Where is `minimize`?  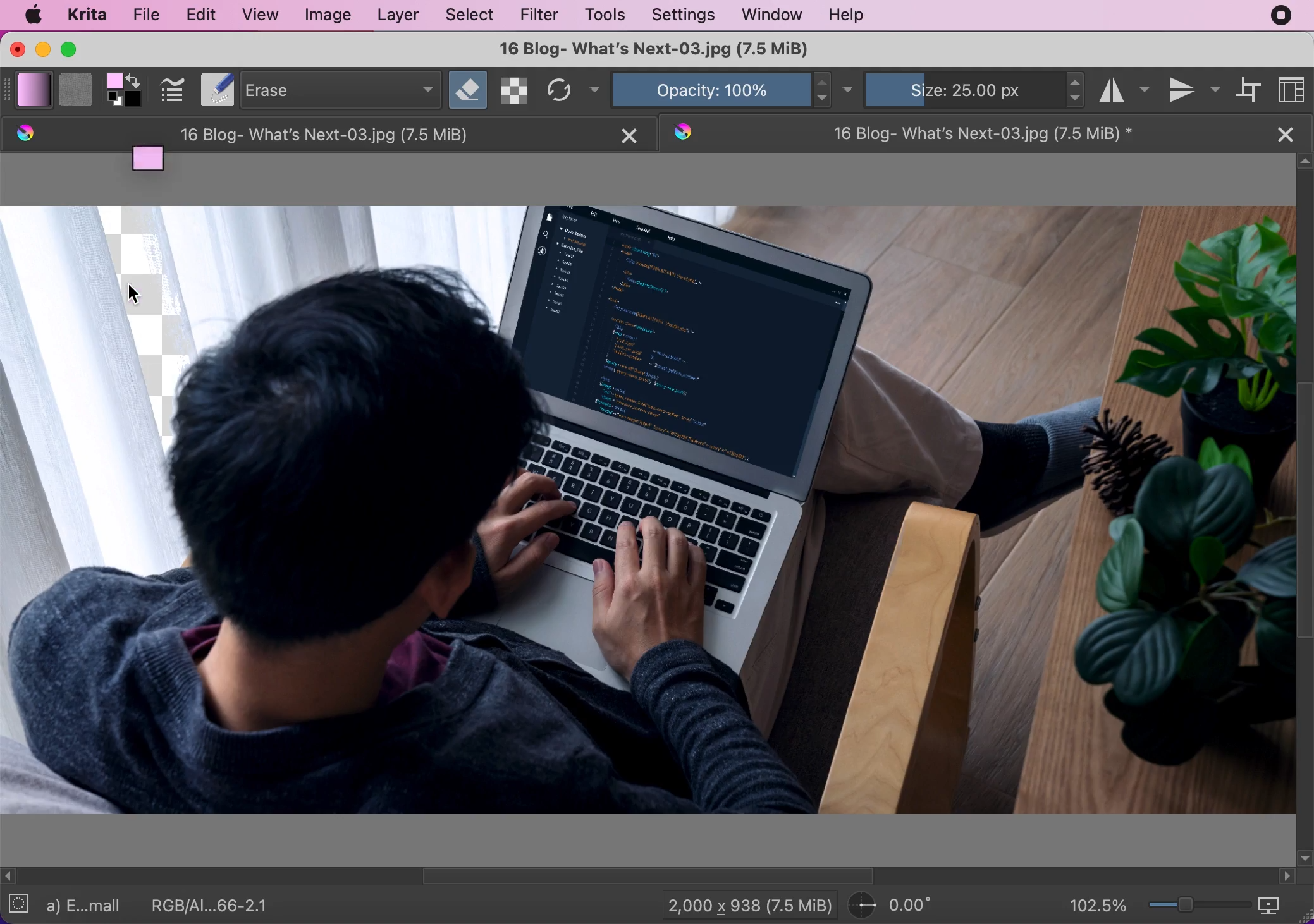 minimize is located at coordinates (43, 51).